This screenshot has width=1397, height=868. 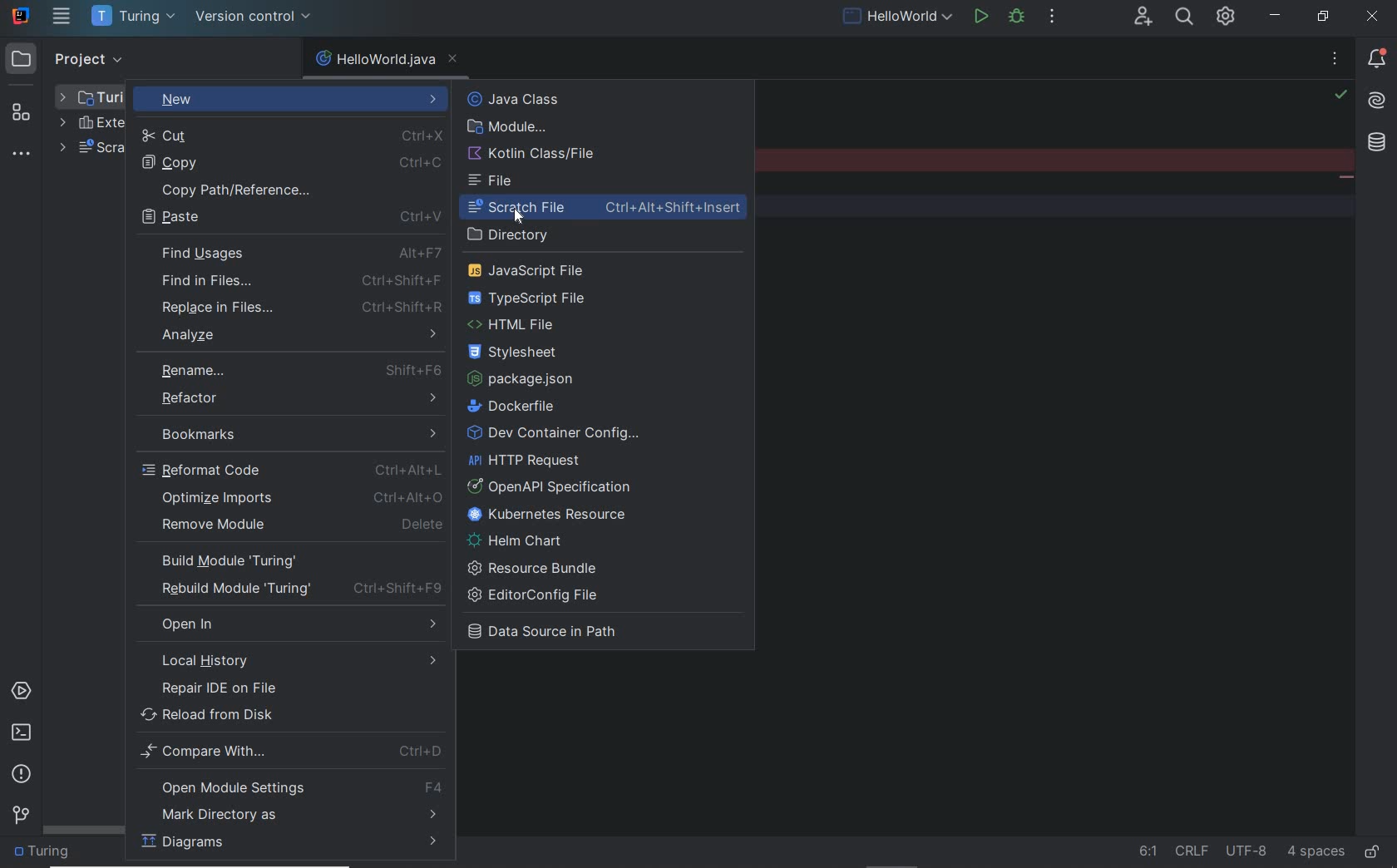 What do you see at coordinates (23, 154) in the screenshot?
I see `more tool windows` at bounding box center [23, 154].